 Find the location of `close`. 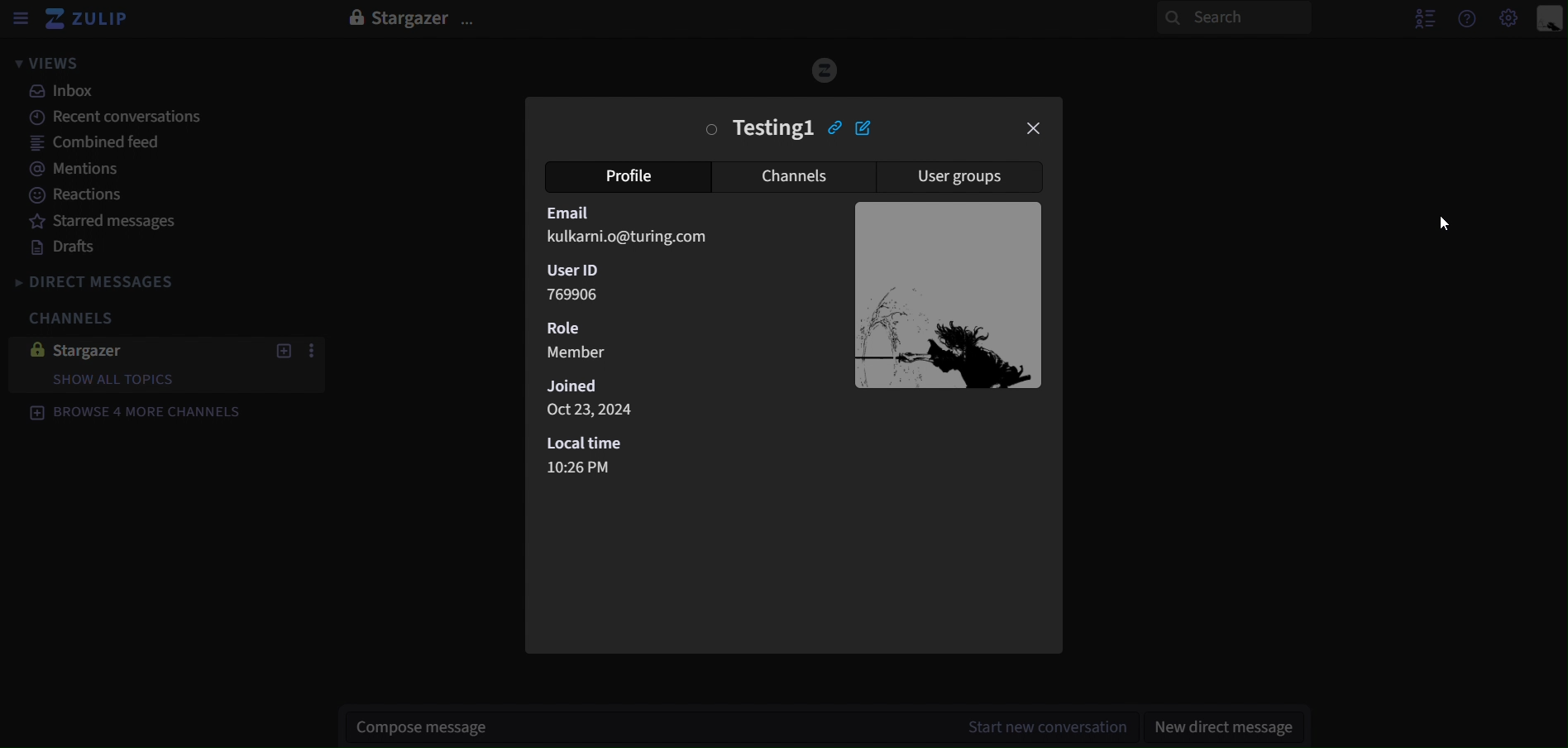

close is located at coordinates (1034, 130).